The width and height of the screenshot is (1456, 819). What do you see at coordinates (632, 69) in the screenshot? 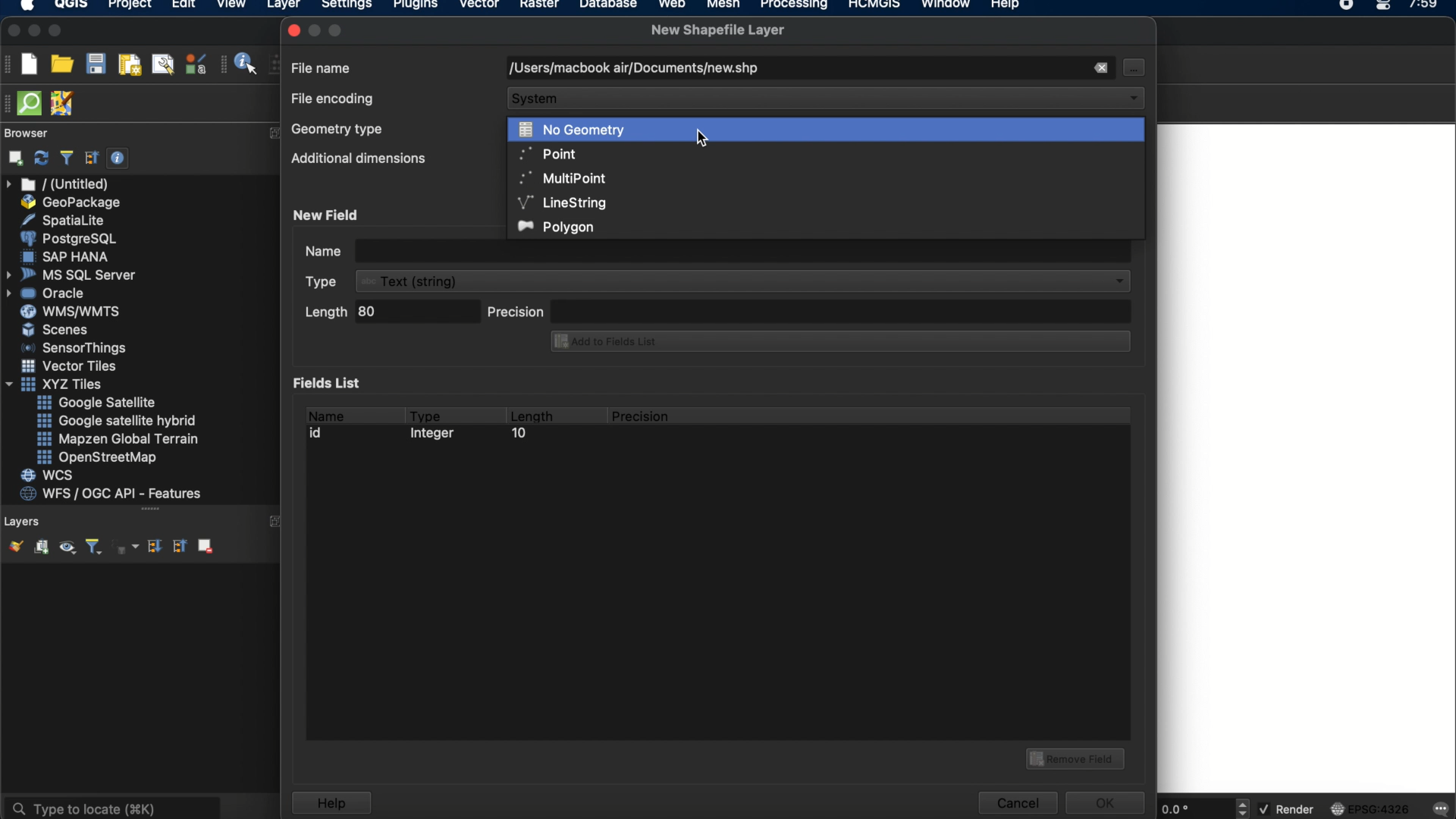
I see `file name, type, location` at bounding box center [632, 69].